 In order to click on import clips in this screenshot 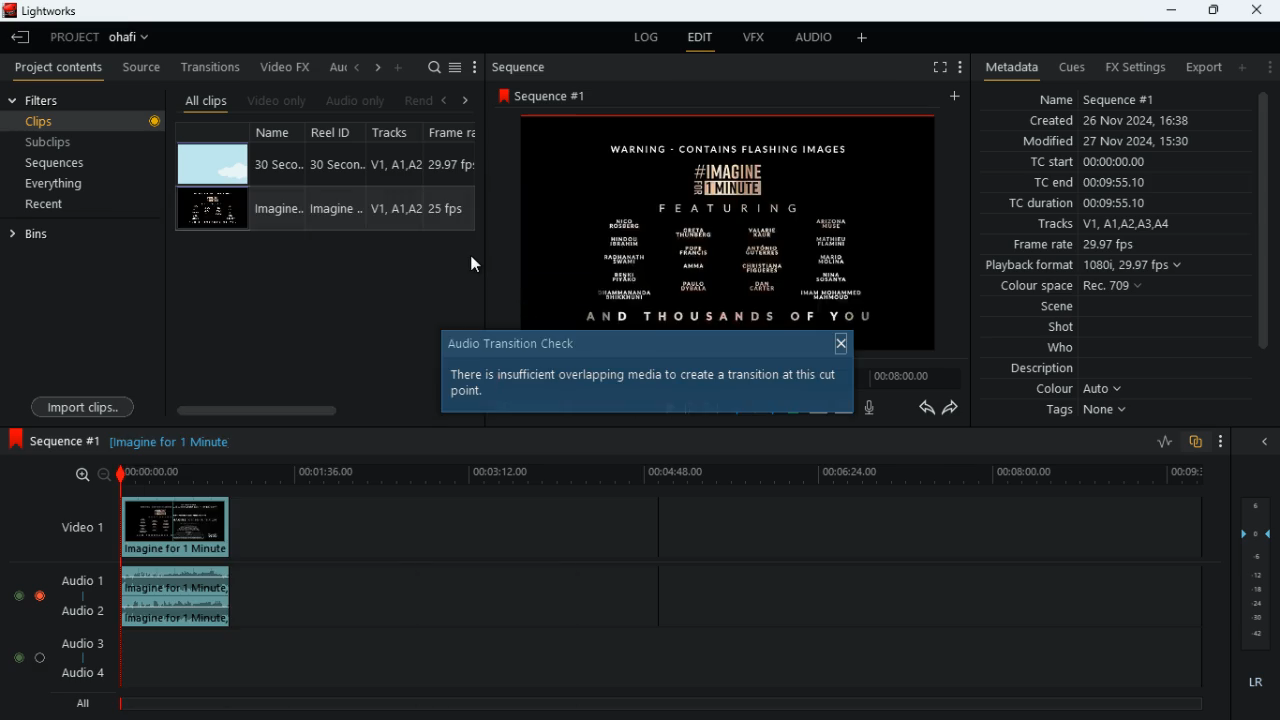, I will do `click(83, 406)`.